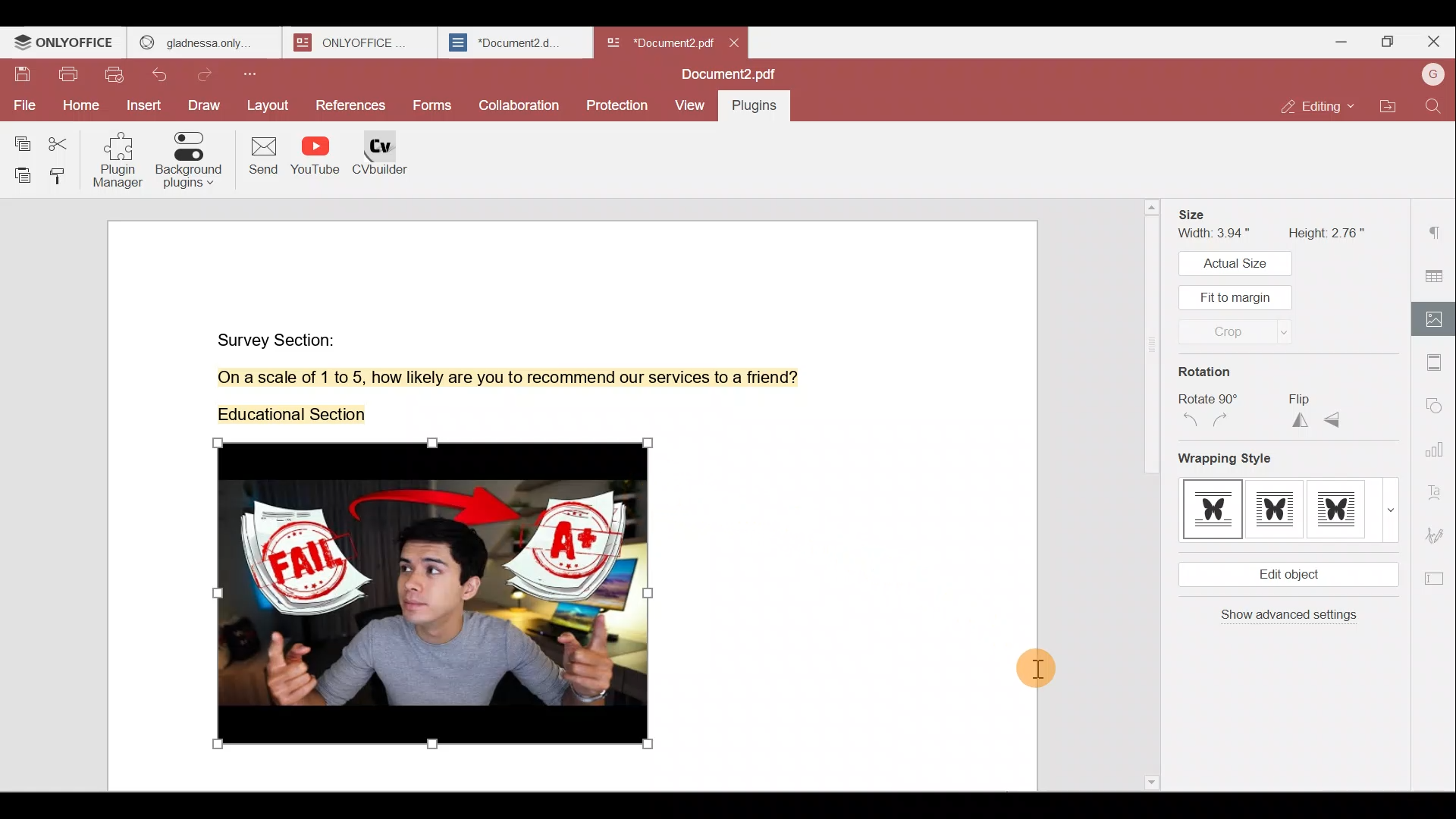 The height and width of the screenshot is (819, 1456). Describe the element at coordinates (734, 42) in the screenshot. I see `close` at that location.